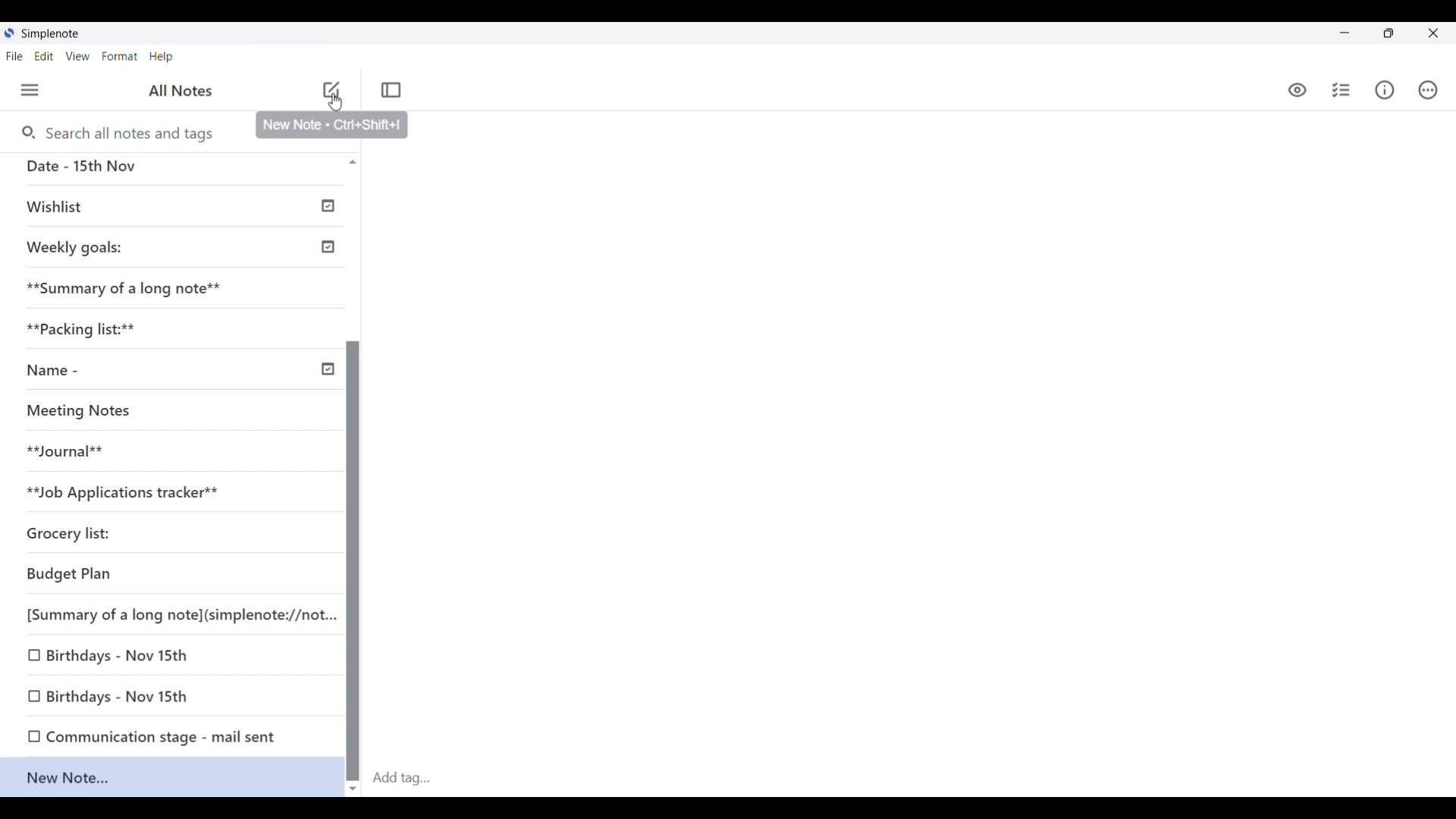  Describe the element at coordinates (83, 249) in the screenshot. I see `Weekly goals:` at that location.